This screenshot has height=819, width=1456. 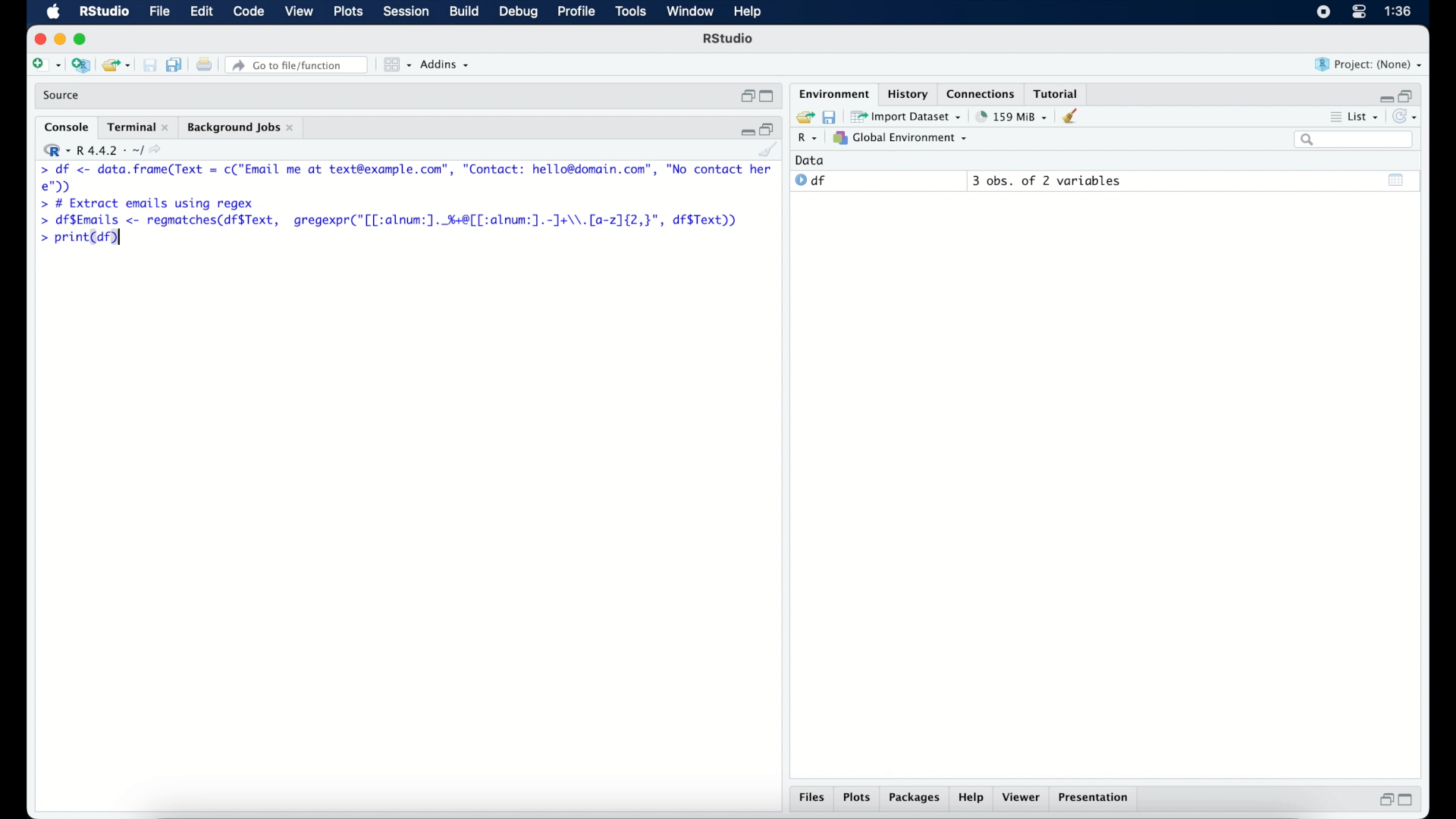 What do you see at coordinates (519, 13) in the screenshot?
I see `debug` at bounding box center [519, 13].